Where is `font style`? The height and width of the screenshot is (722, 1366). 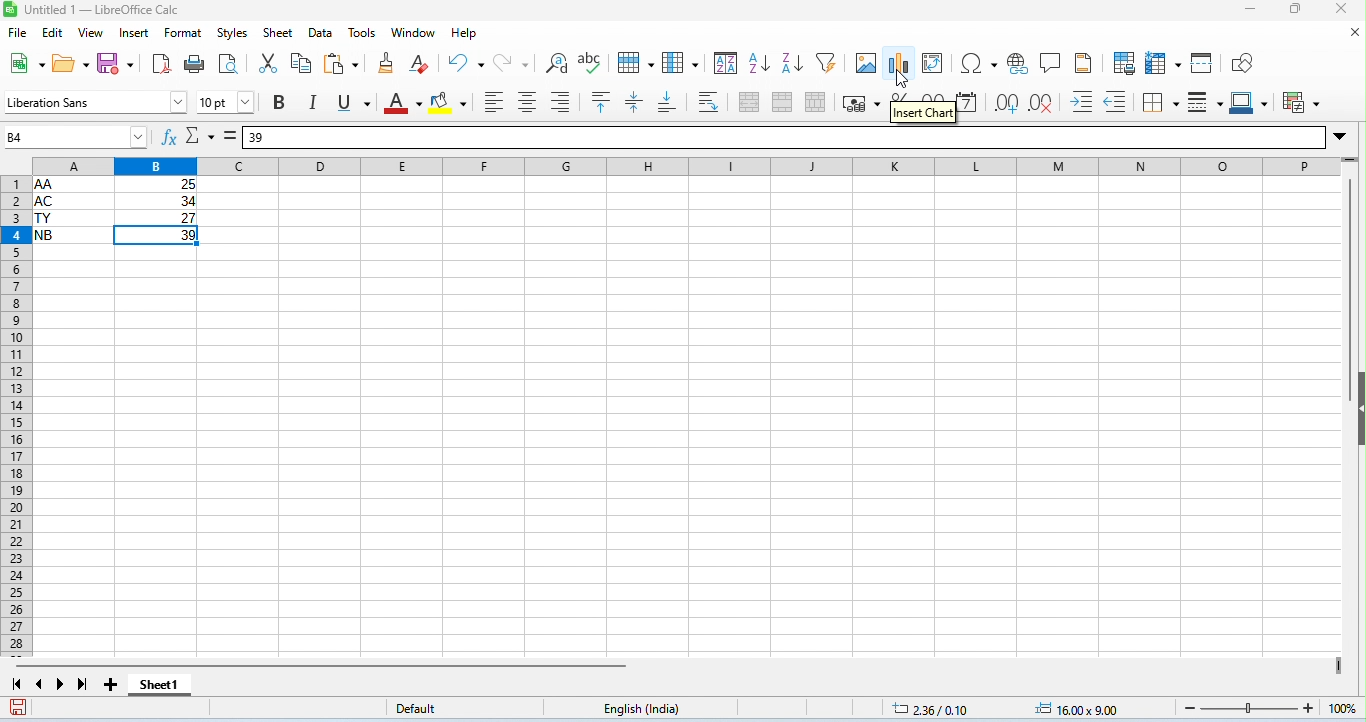 font style is located at coordinates (97, 104).